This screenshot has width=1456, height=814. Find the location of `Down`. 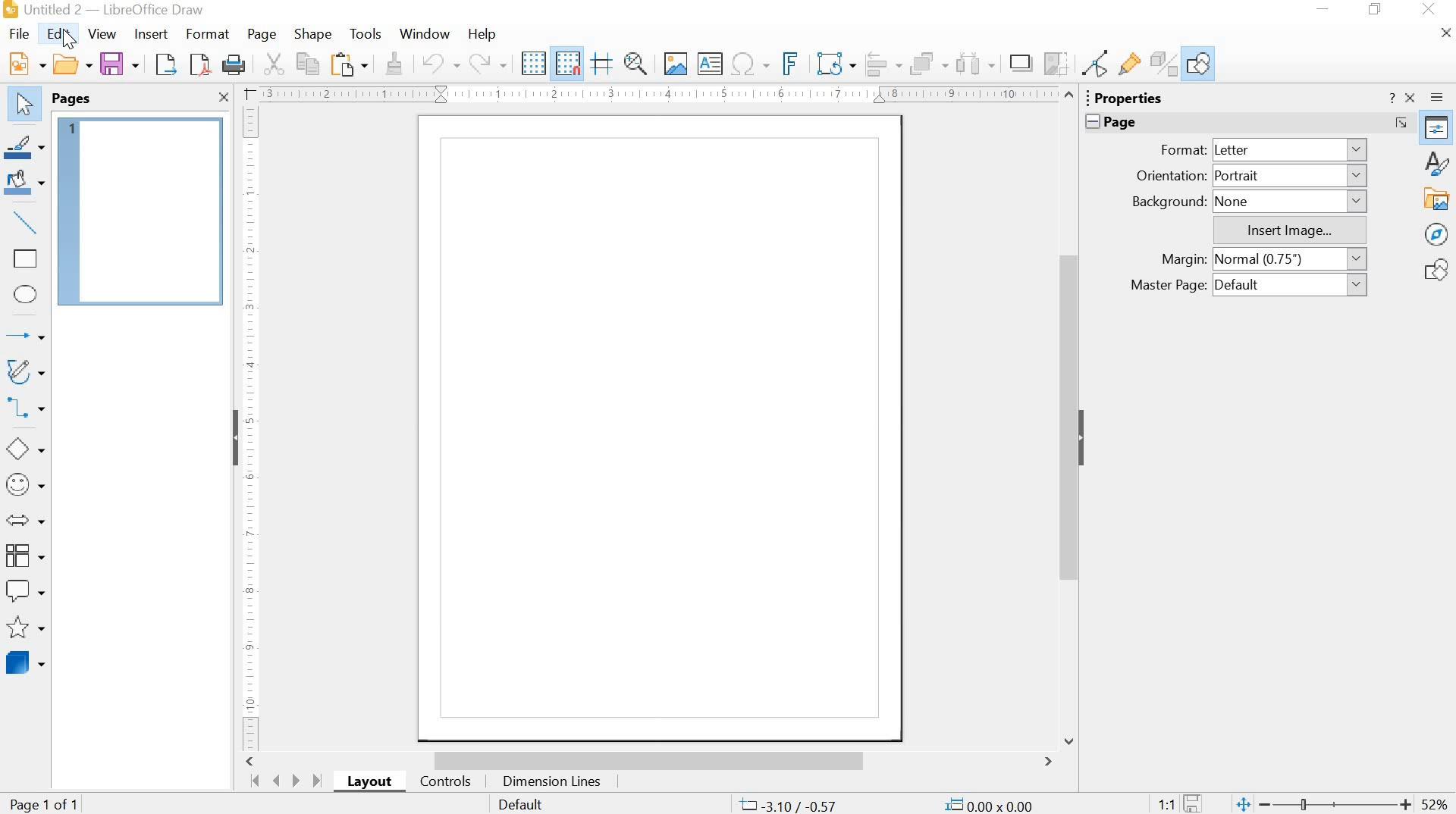

Down is located at coordinates (1069, 740).